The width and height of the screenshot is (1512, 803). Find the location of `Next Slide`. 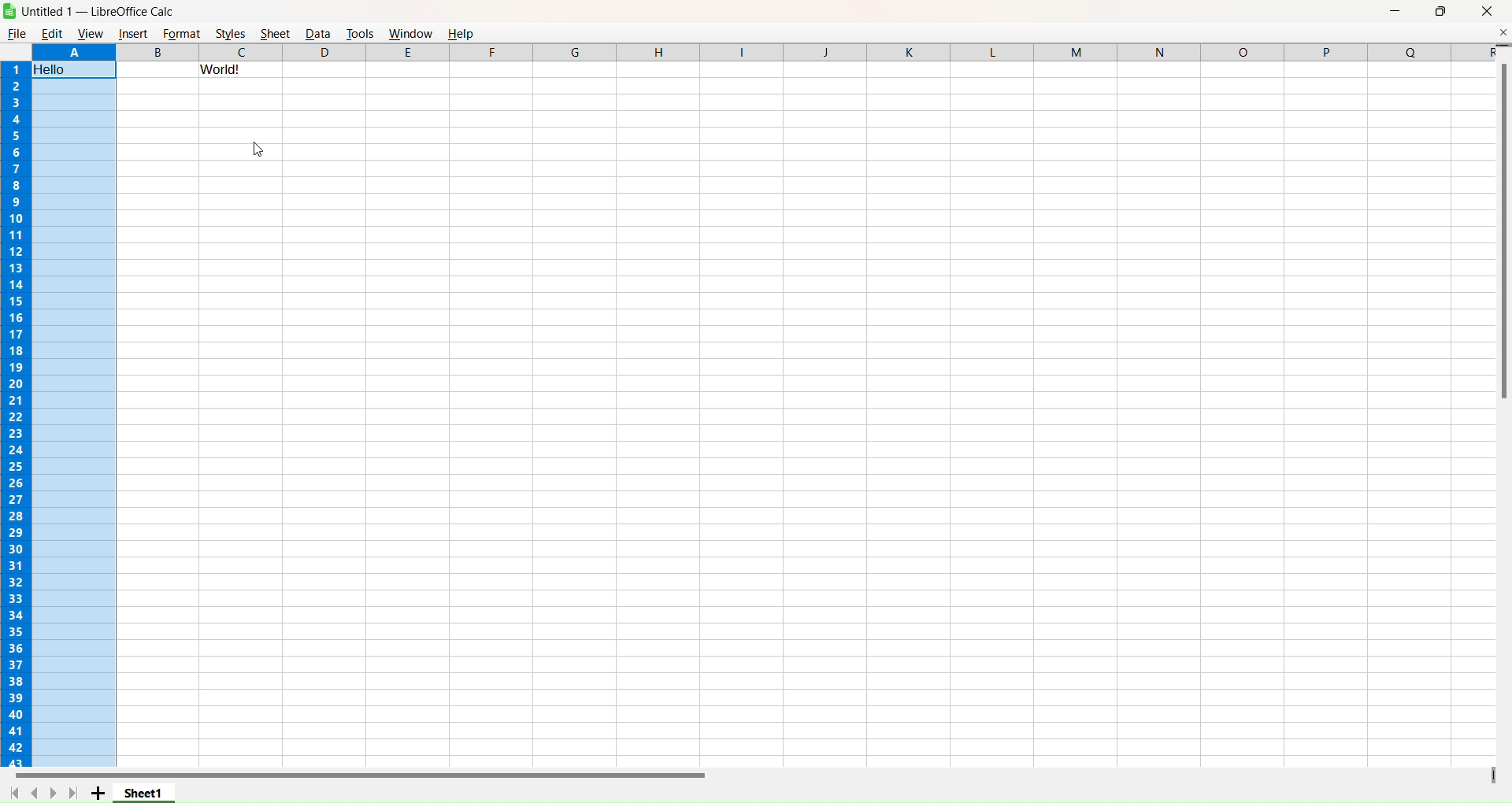

Next Slide is located at coordinates (53, 793).